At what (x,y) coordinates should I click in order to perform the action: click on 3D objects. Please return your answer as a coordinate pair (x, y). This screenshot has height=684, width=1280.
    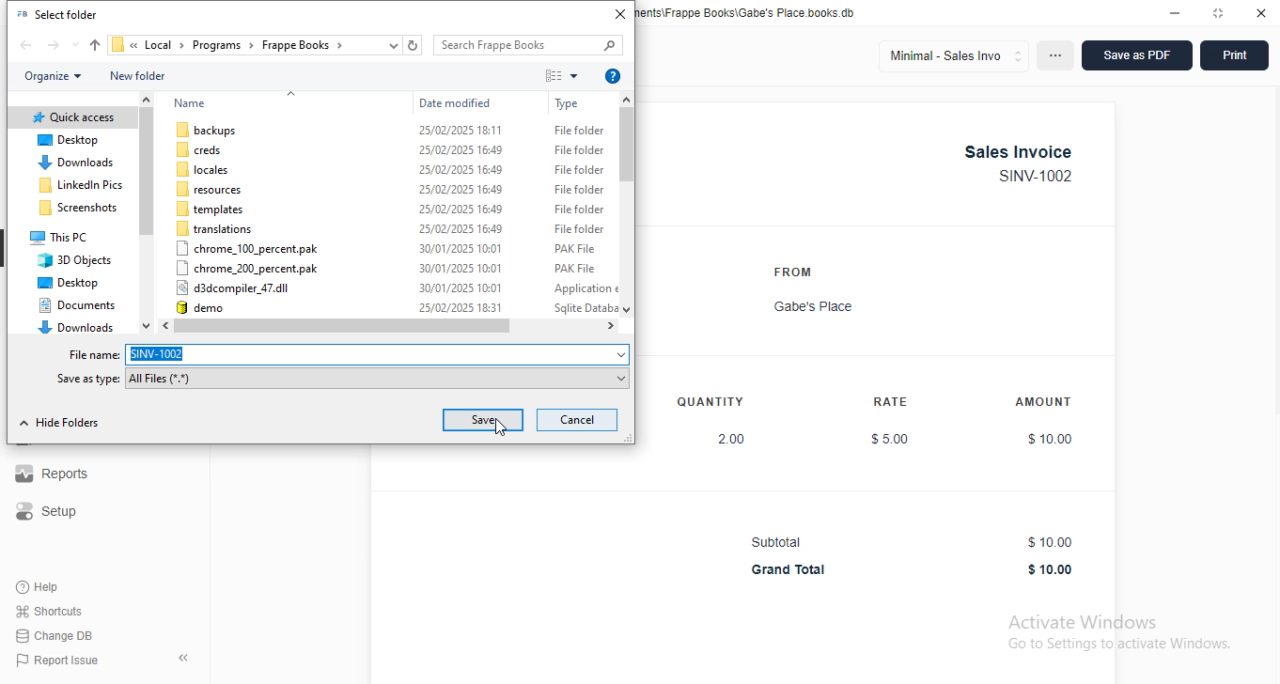
    Looking at the image, I should click on (75, 260).